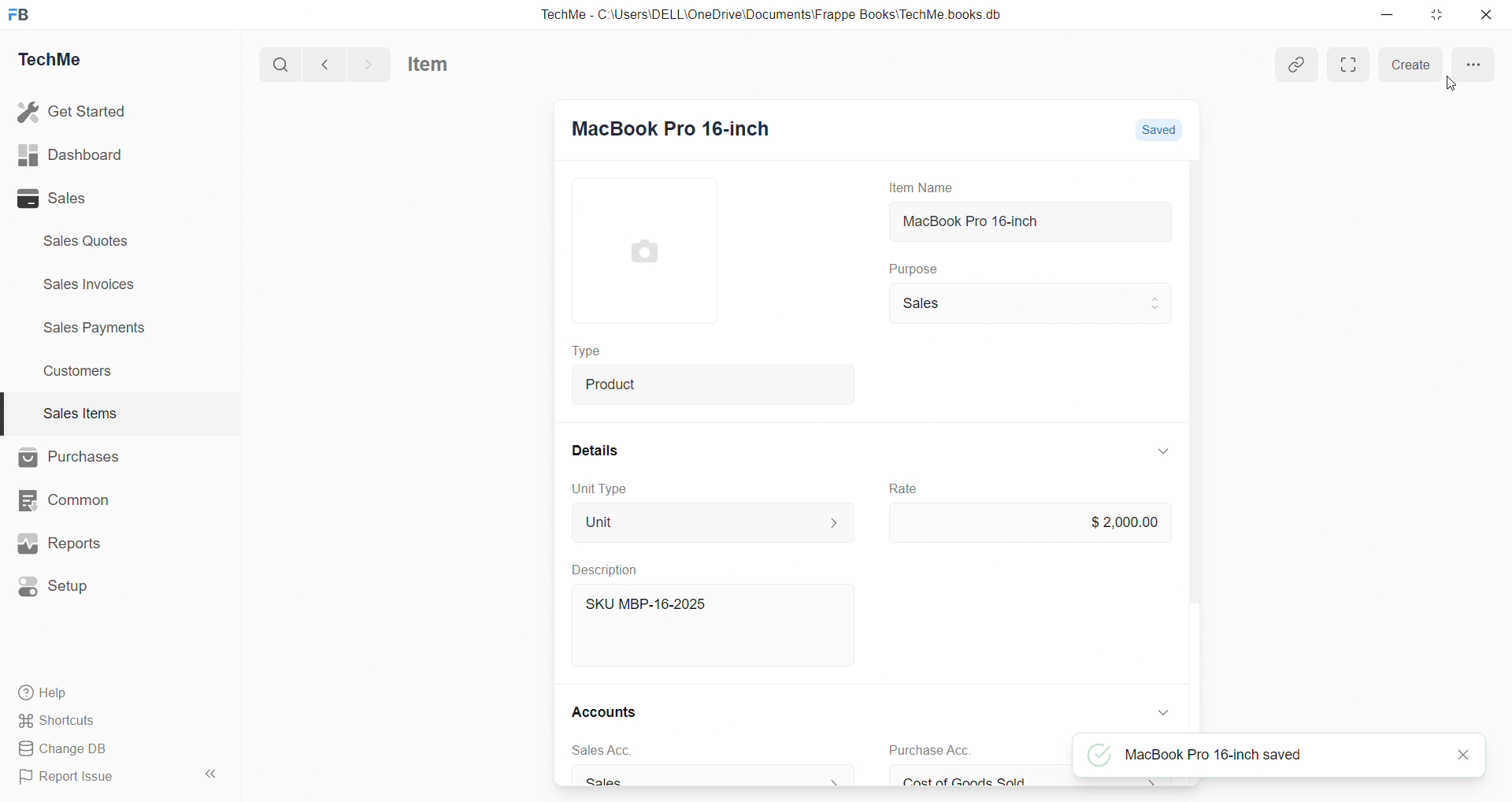 The width and height of the screenshot is (1512, 802). Describe the element at coordinates (1154, 129) in the screenshot. I see `Saved` at that location.